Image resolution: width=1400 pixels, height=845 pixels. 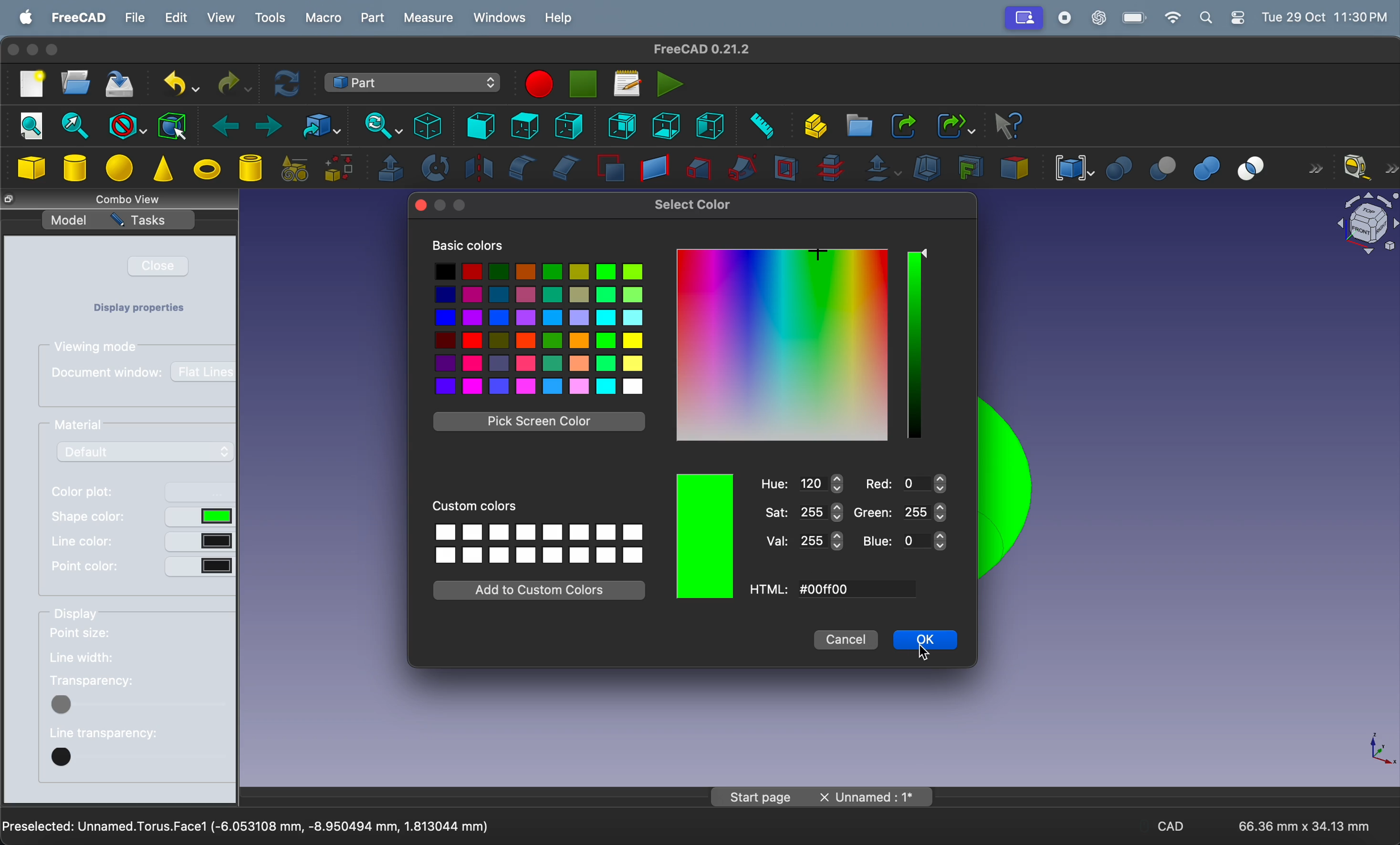 What do you see at coordinates (1256, 167) in the screenshot?
I see `intersection` at bounding box center [1256, 167].